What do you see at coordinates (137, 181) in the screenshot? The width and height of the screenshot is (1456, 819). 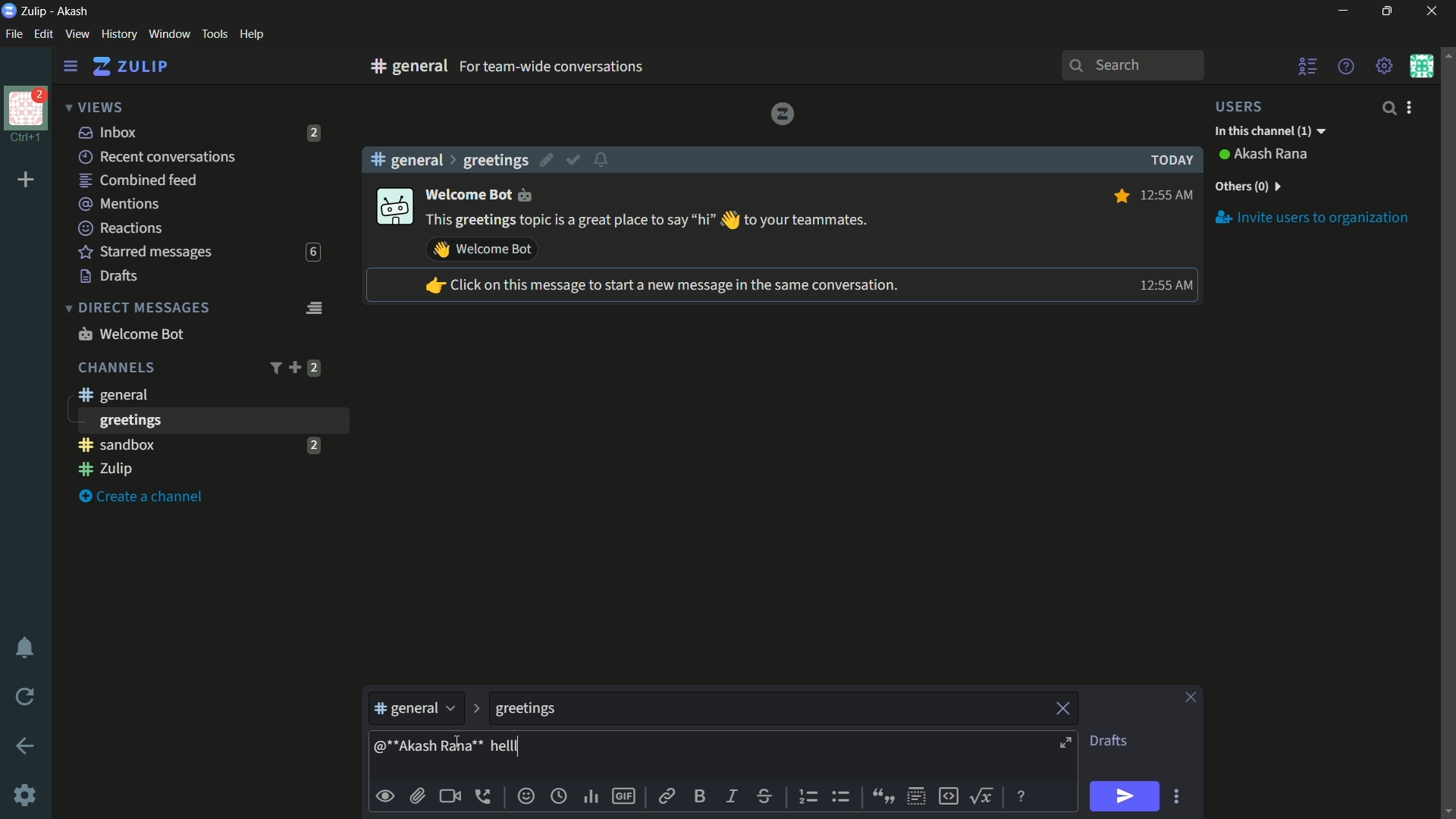 I see `combined feed` at bounding box center [137, 181].